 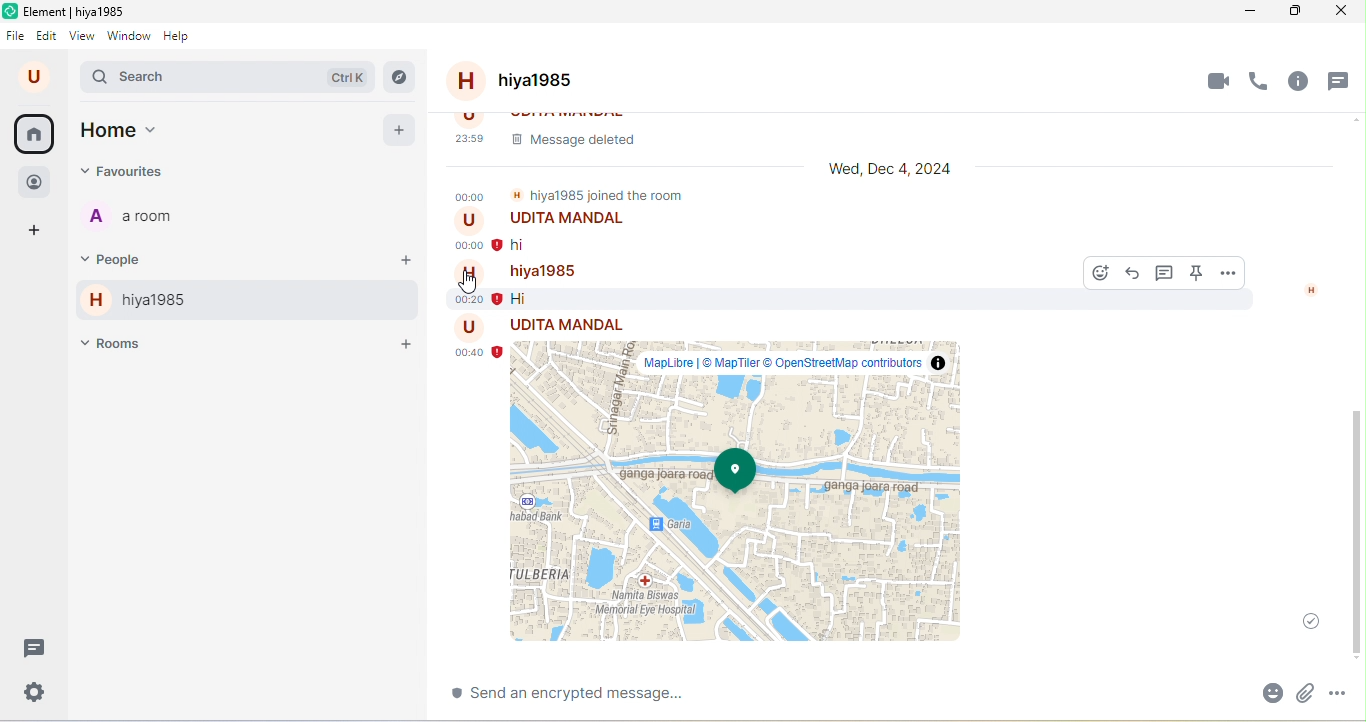 I want to click on Location sharing from UDITA MANDAL, so click(x=729, y=483).